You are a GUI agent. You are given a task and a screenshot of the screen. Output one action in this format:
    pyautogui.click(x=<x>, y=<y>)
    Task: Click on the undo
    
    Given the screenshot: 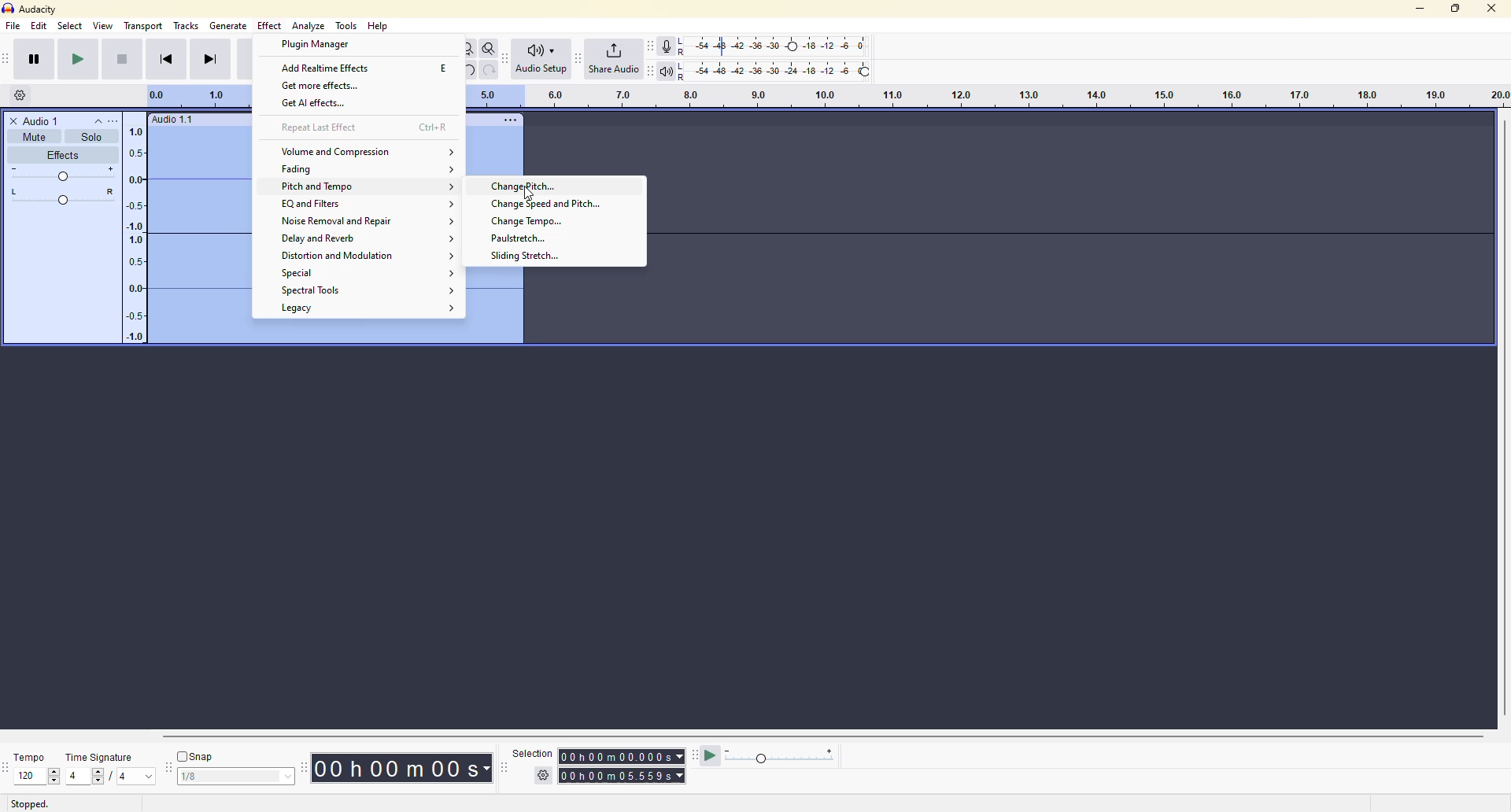 What is the action you would take?
    pyautogui.click(x=467, y=70)
    